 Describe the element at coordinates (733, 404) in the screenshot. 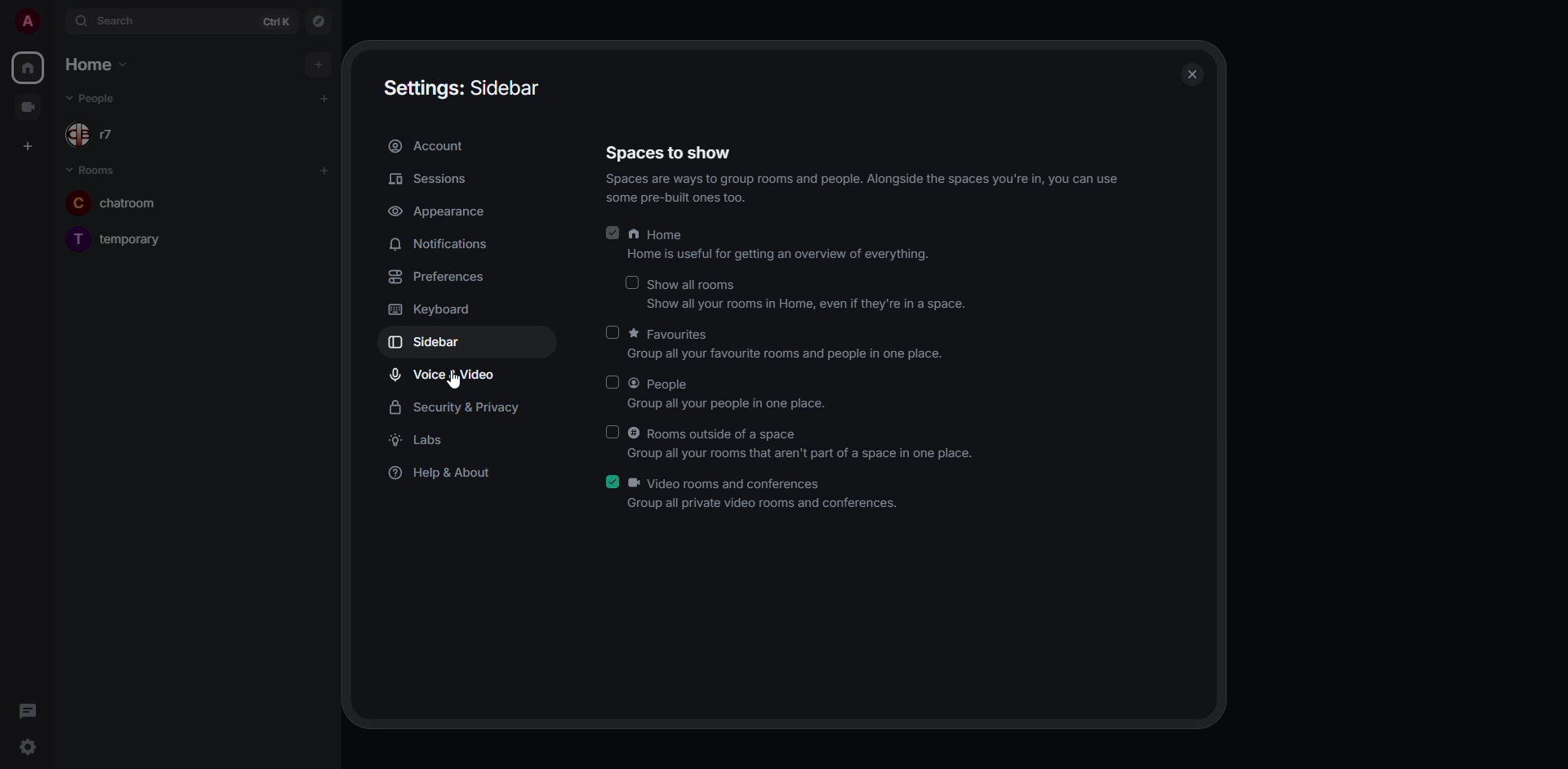

I see `Group all your people in one place.` at that location.